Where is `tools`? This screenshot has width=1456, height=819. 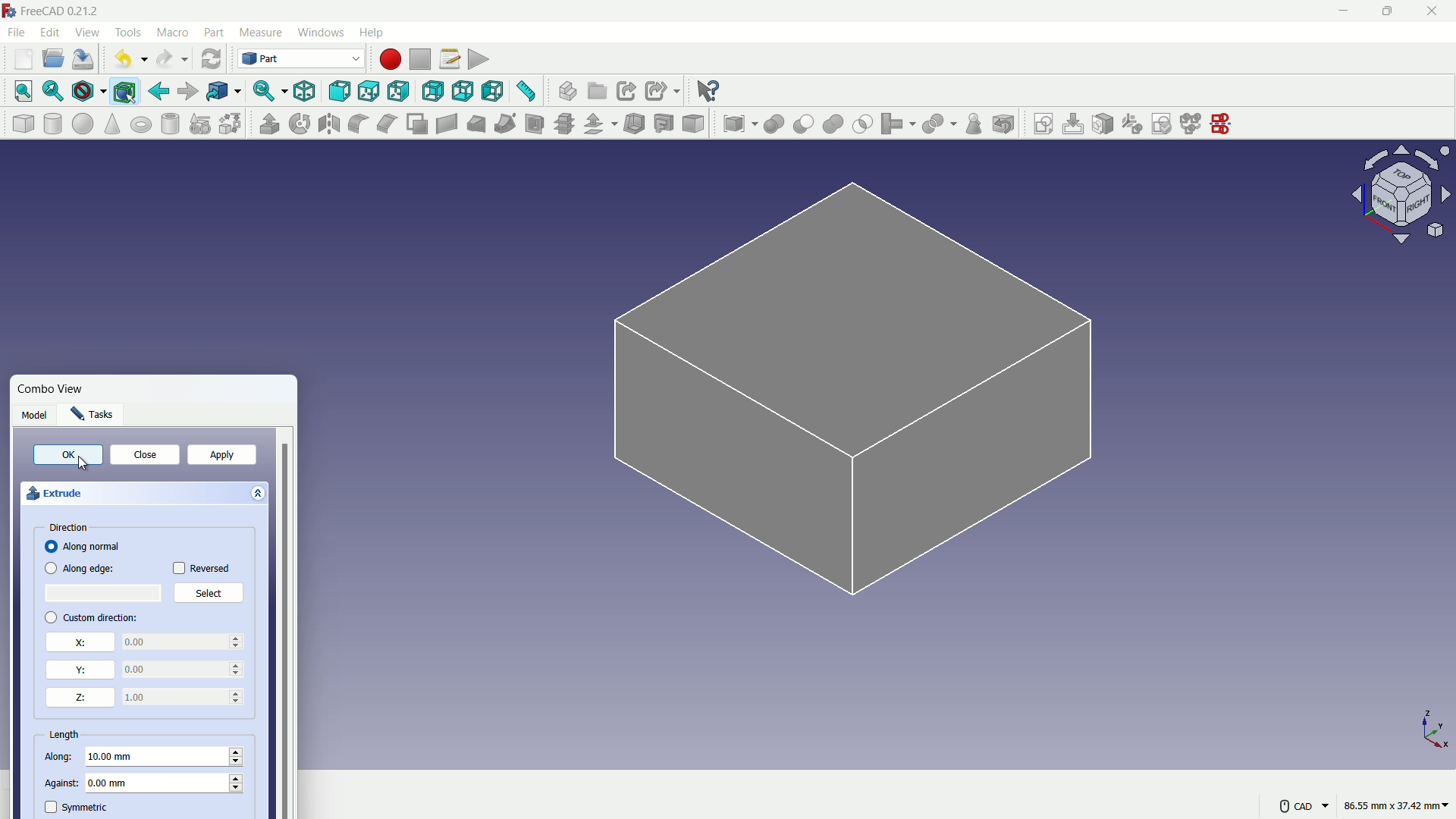
tools is located at coordinates (128, 33).